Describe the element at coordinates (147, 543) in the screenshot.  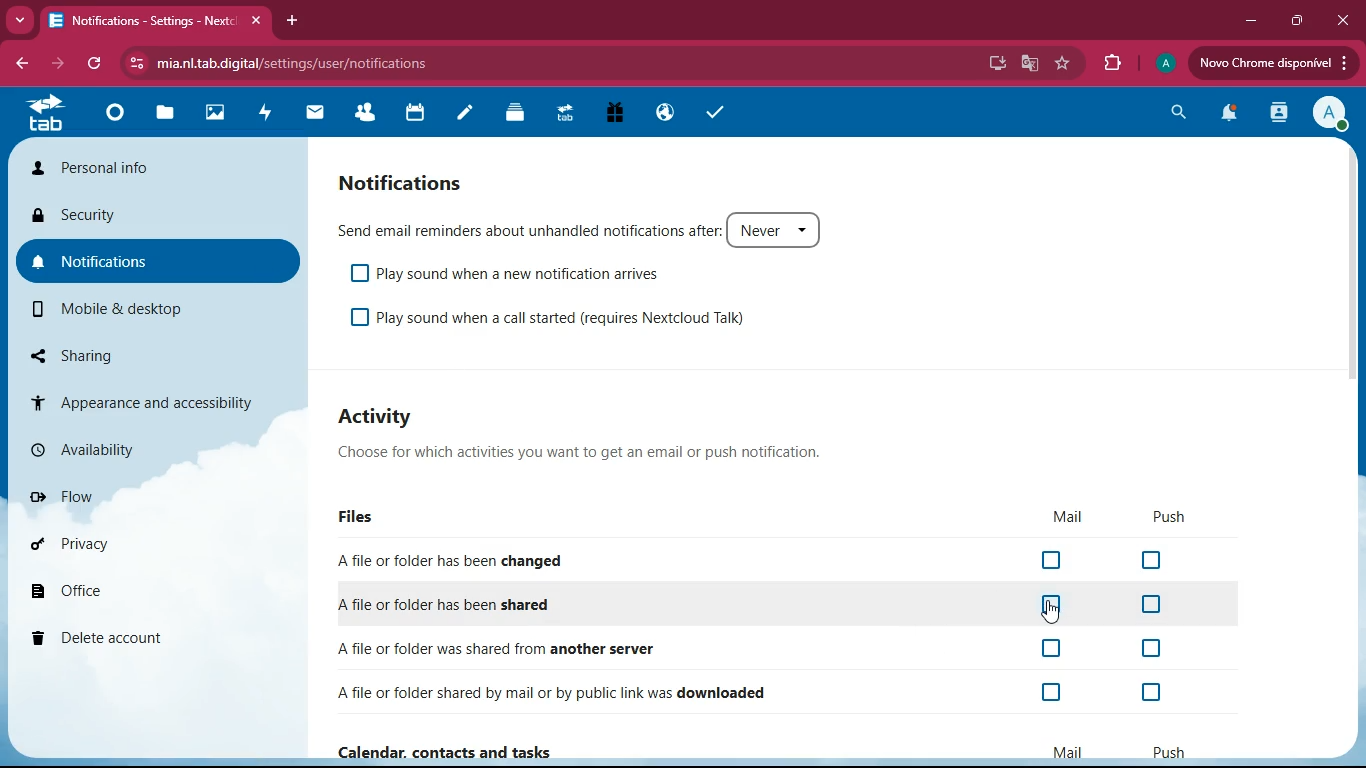
I see `privacy` at that location.